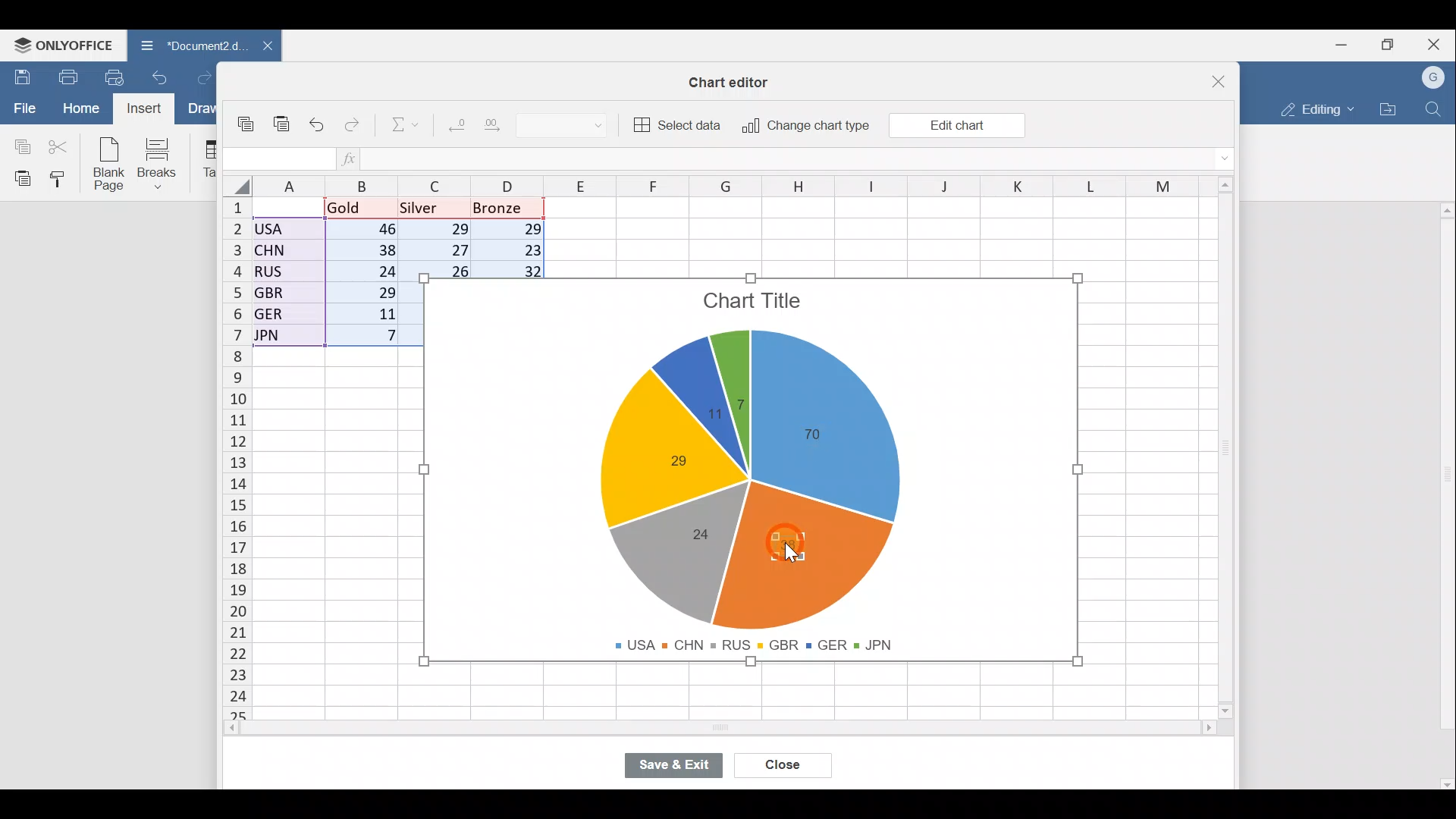 The width and height of the screenshot is (1456, 819). Describe the element at coordinates (23, 107) in the screenshot. I see `File` at that location.